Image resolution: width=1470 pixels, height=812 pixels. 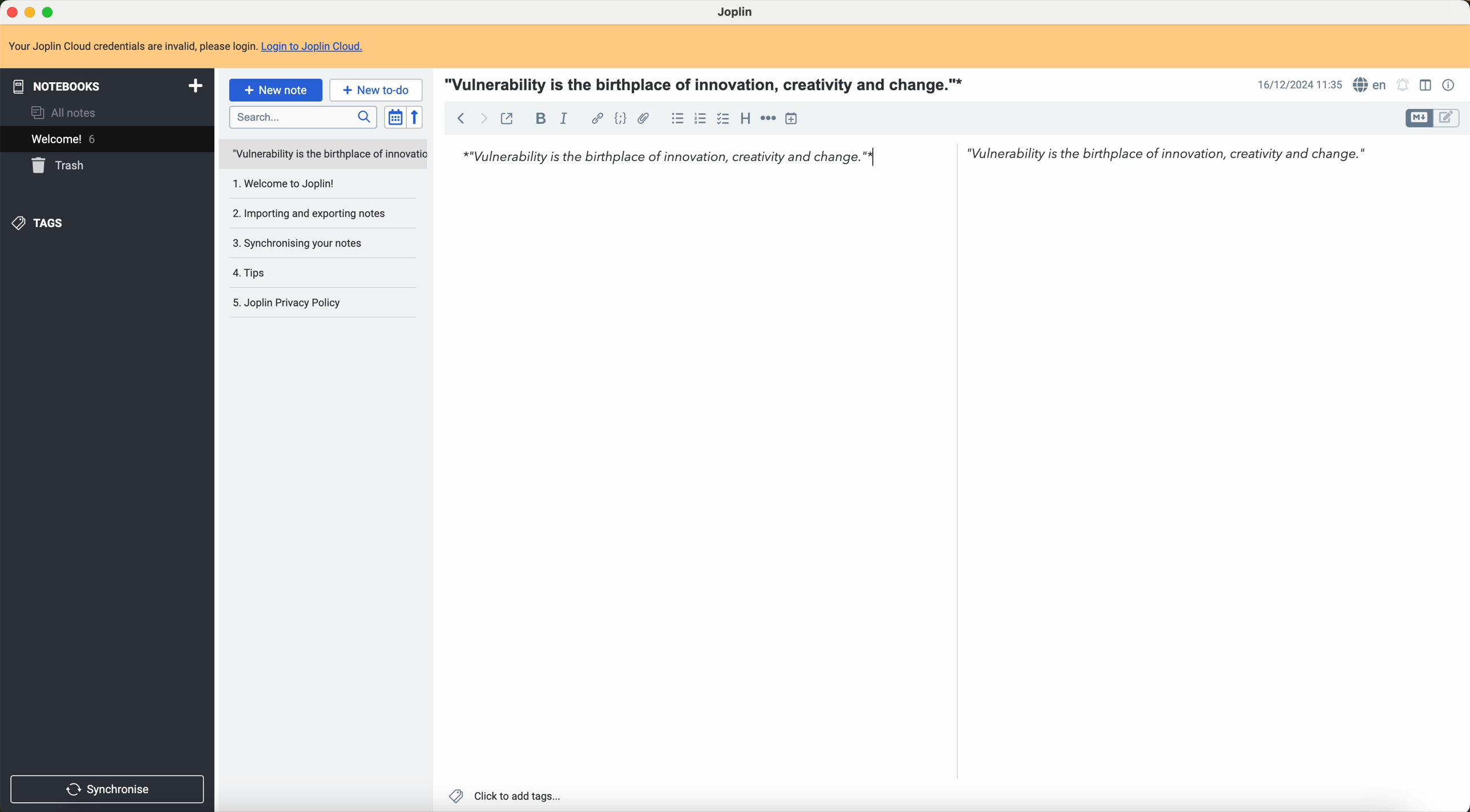 What do you see at coordinates (276, 90) in the screenshot?
I see `new note` at bounding box center [276, 90].